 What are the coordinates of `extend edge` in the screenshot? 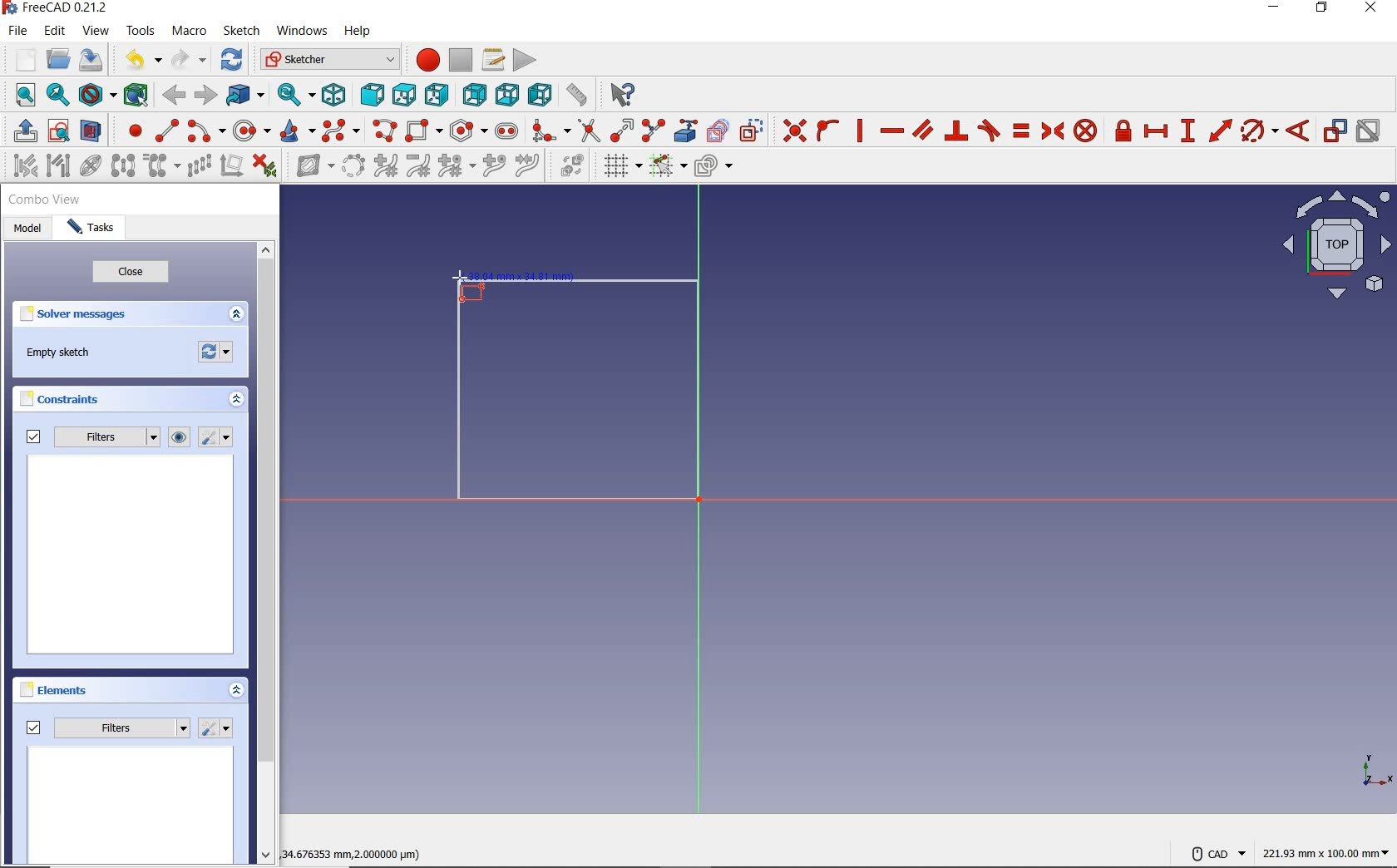 It's located at (622, 131).